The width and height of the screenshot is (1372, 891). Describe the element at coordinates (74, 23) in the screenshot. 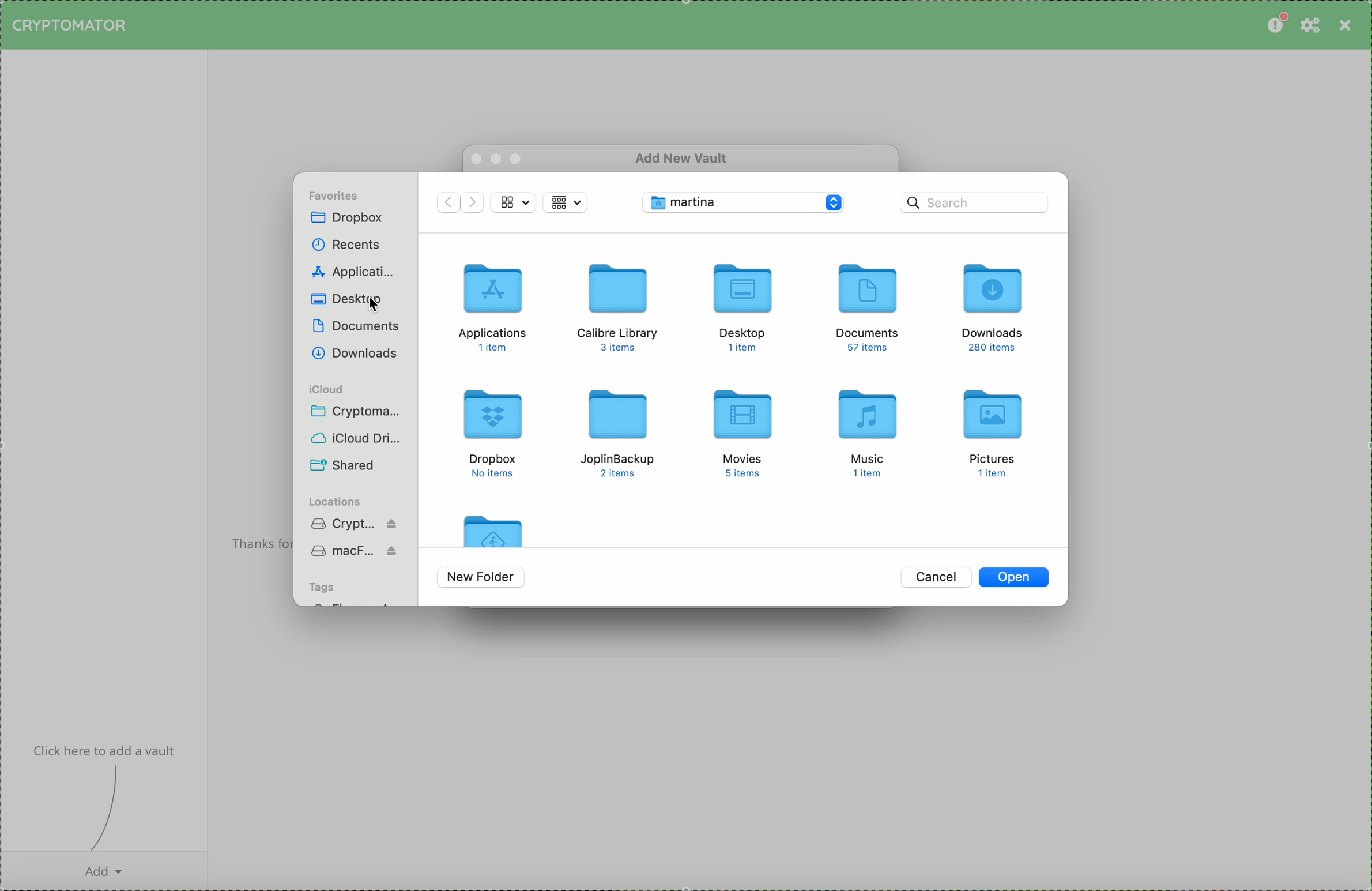

I see `cryptomator` at that location.